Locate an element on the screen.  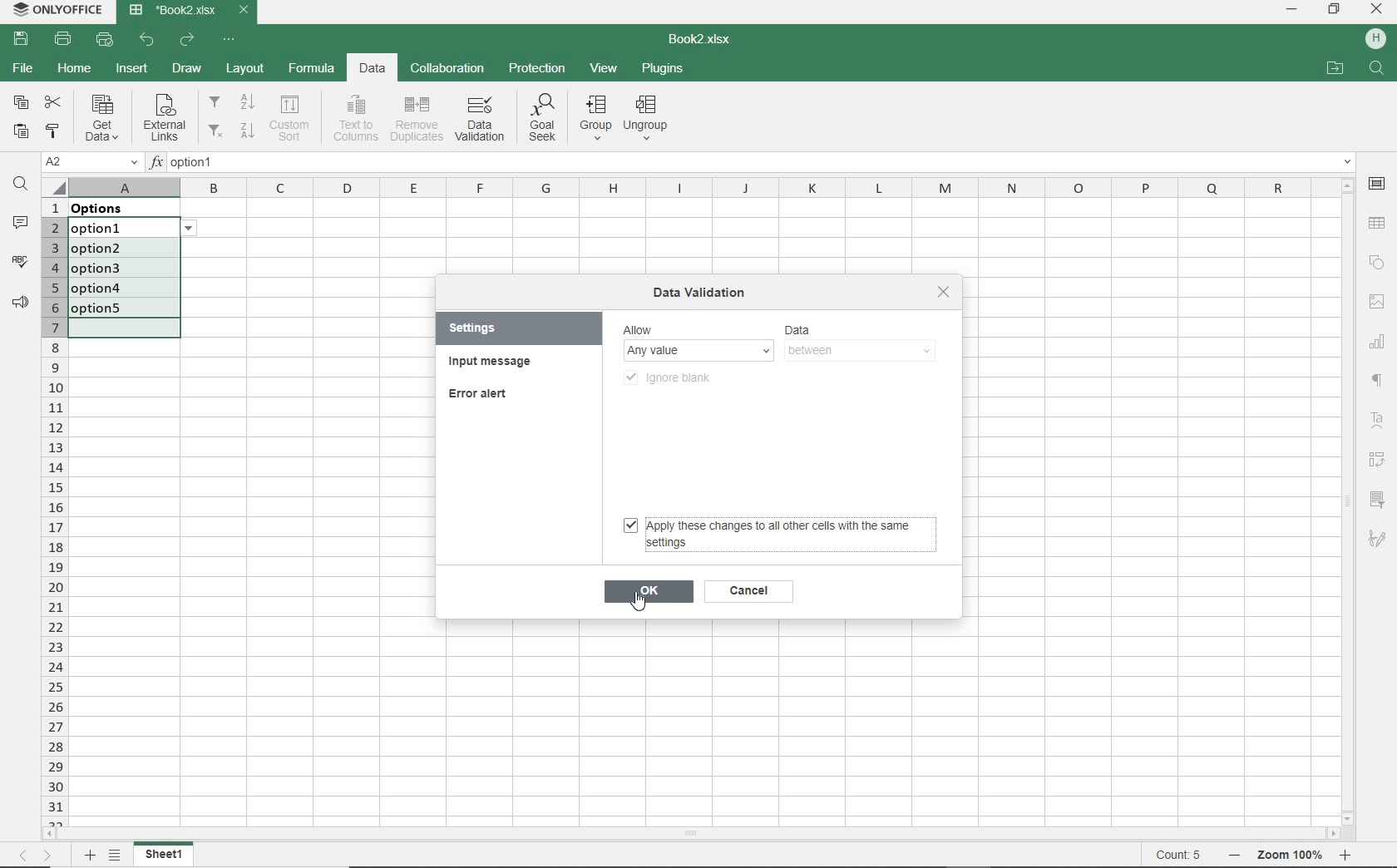
FIND is located at coordinates (19, 184).